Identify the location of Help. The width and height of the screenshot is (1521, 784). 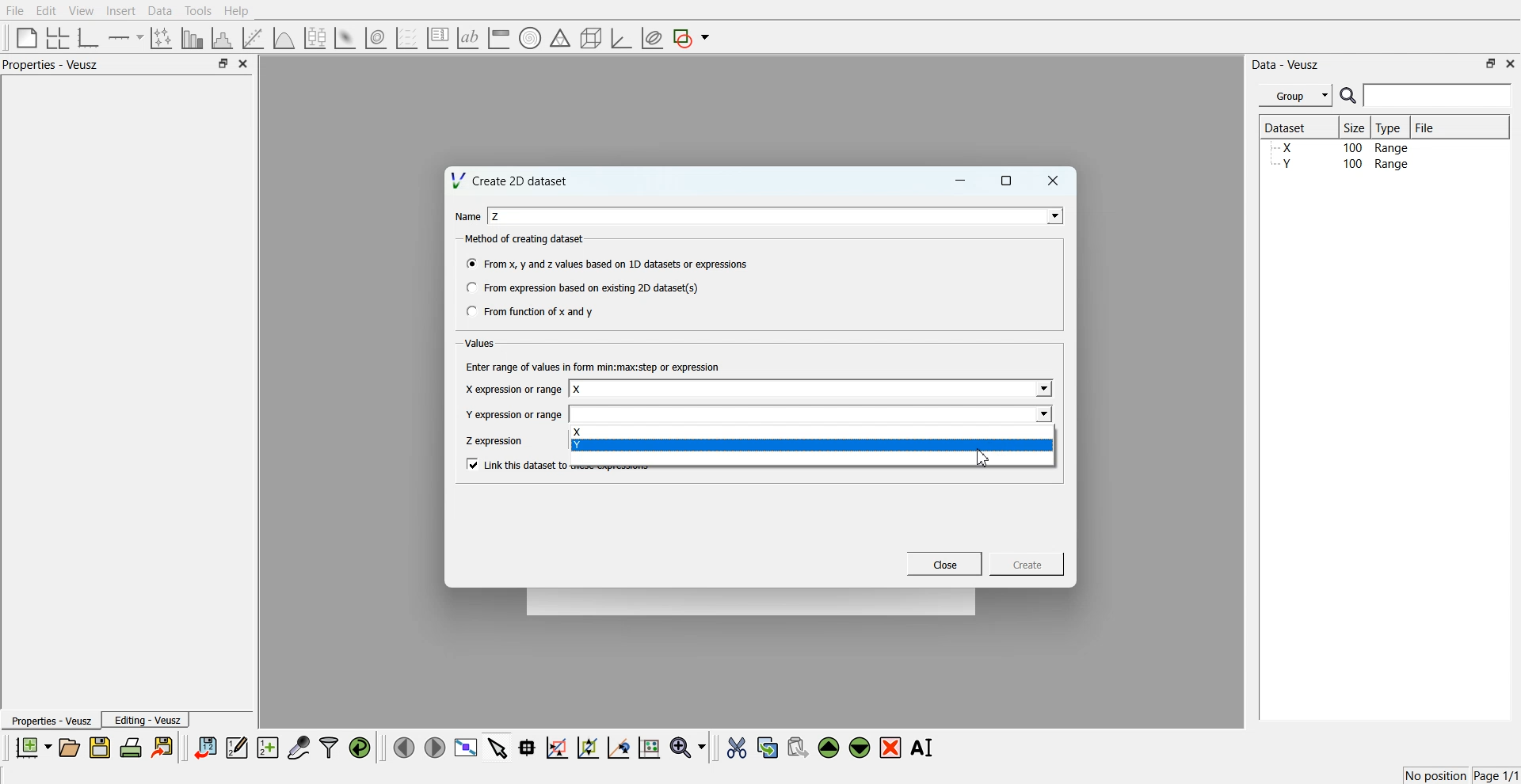
(237, 11).